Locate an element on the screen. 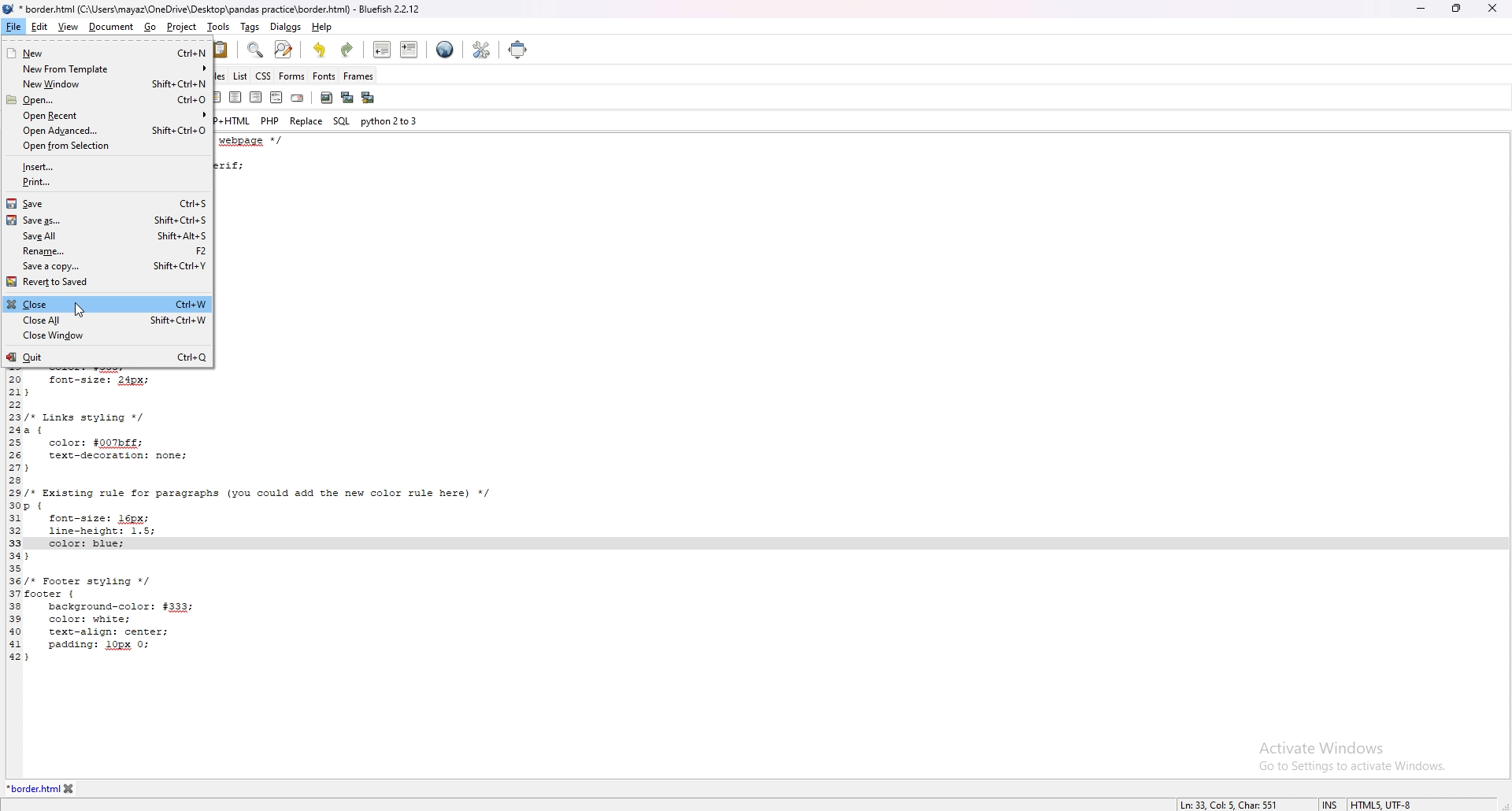  full screen is located at coordinates (516, 50).